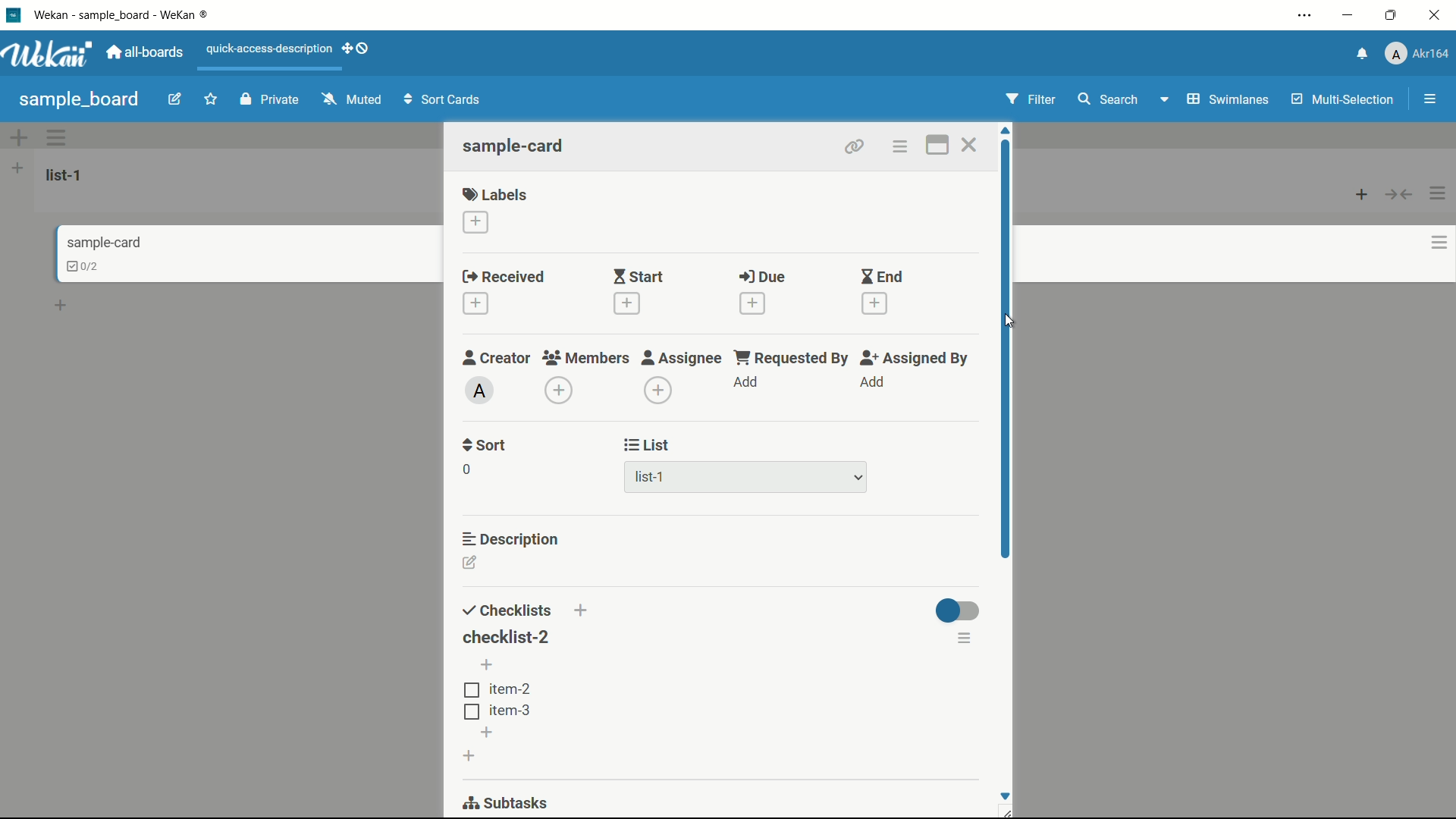 Image resolution: width=1456 pixels, height=819 pixels. I want to click on sort, so click(484, 445).